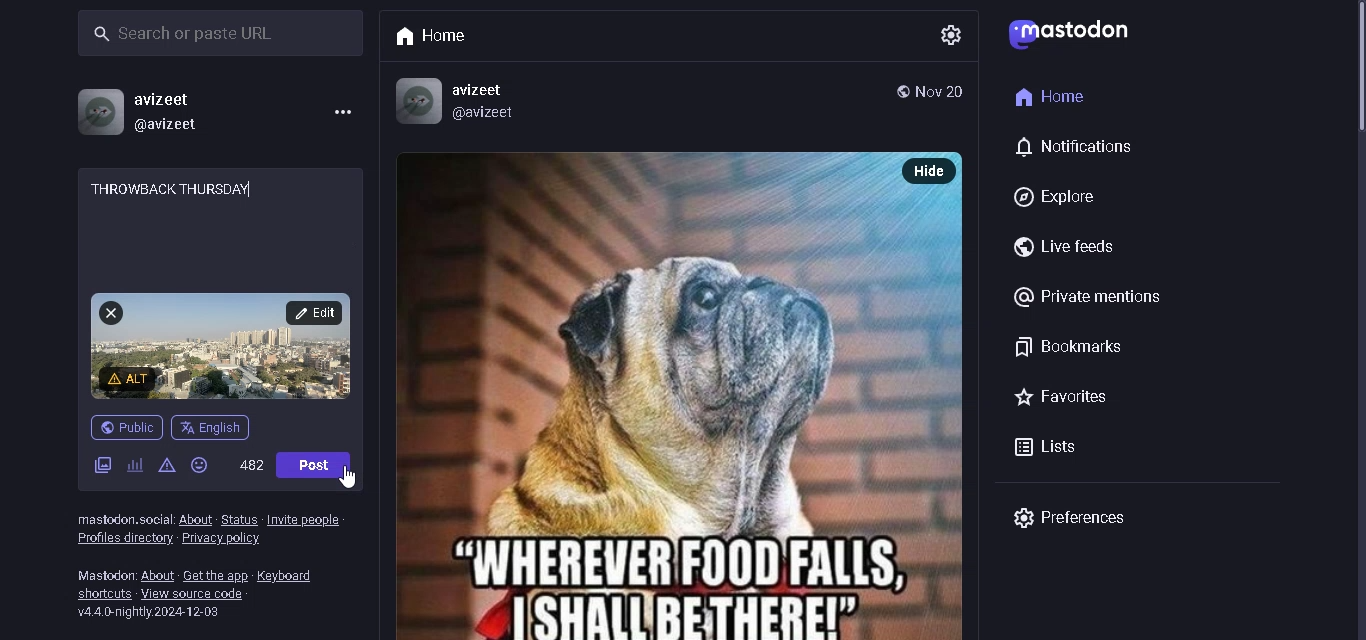  What do you see at coordinates (1078, 148) in the screenshot?
I see `notification` at bounding box center [1078, 148].